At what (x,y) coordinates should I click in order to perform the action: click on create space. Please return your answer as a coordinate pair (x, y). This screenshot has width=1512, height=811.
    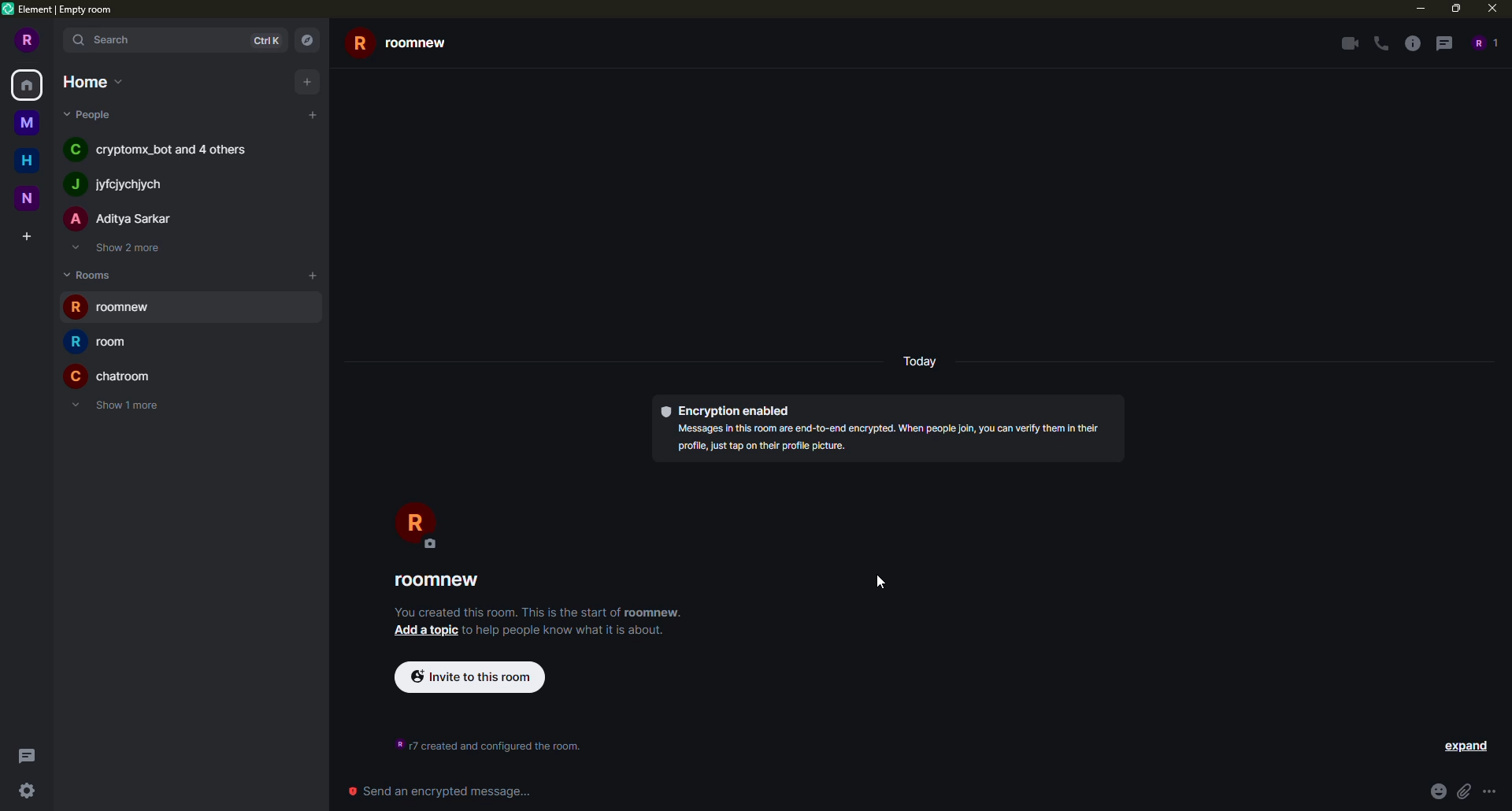
    Looking at the image, I should click on (25, 235).